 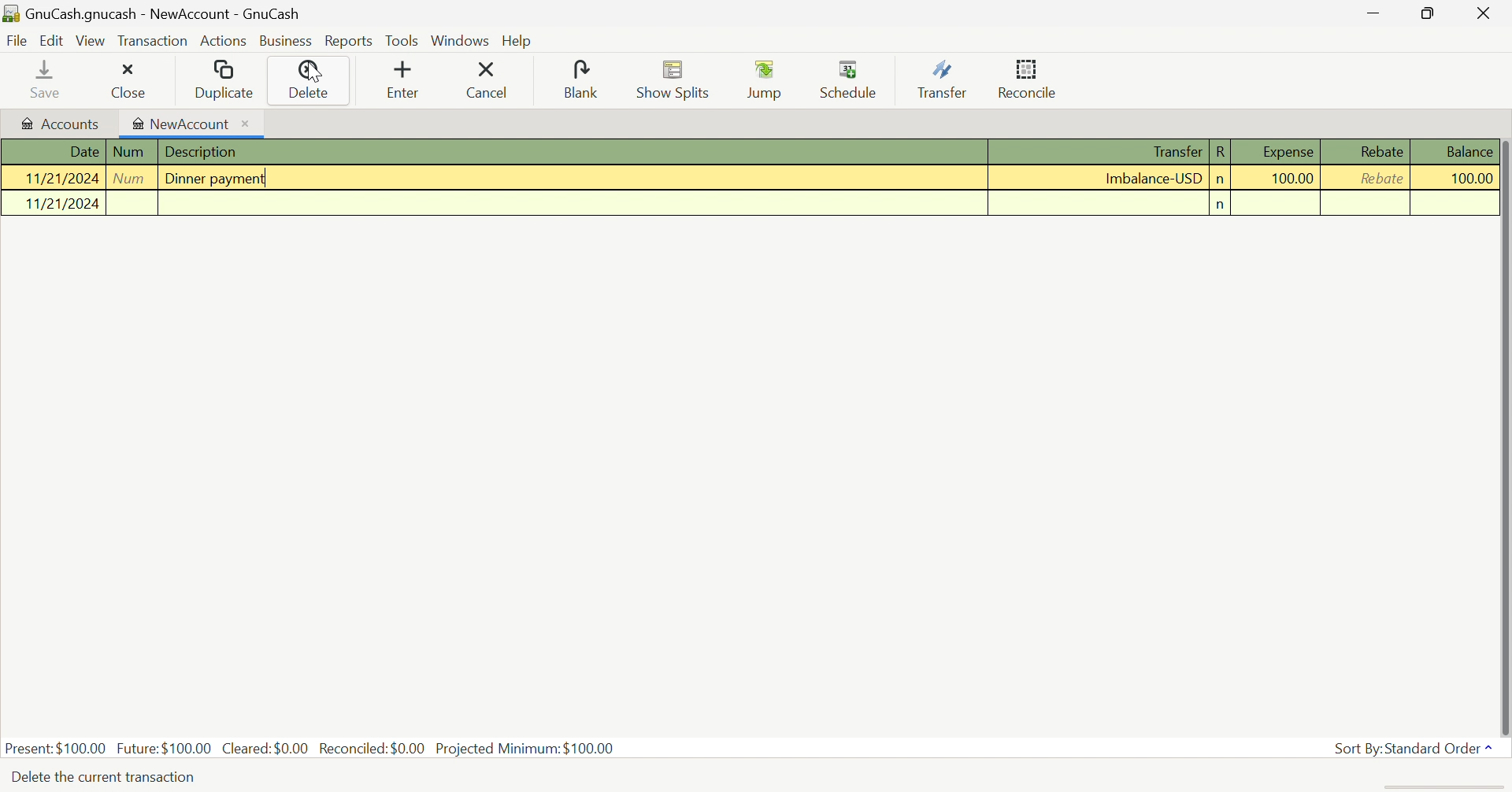 What do you see at coordinates (531, 749) in the screenshot?
I see `Projected Minimum: $100.00` at bounding box center [531, 749].